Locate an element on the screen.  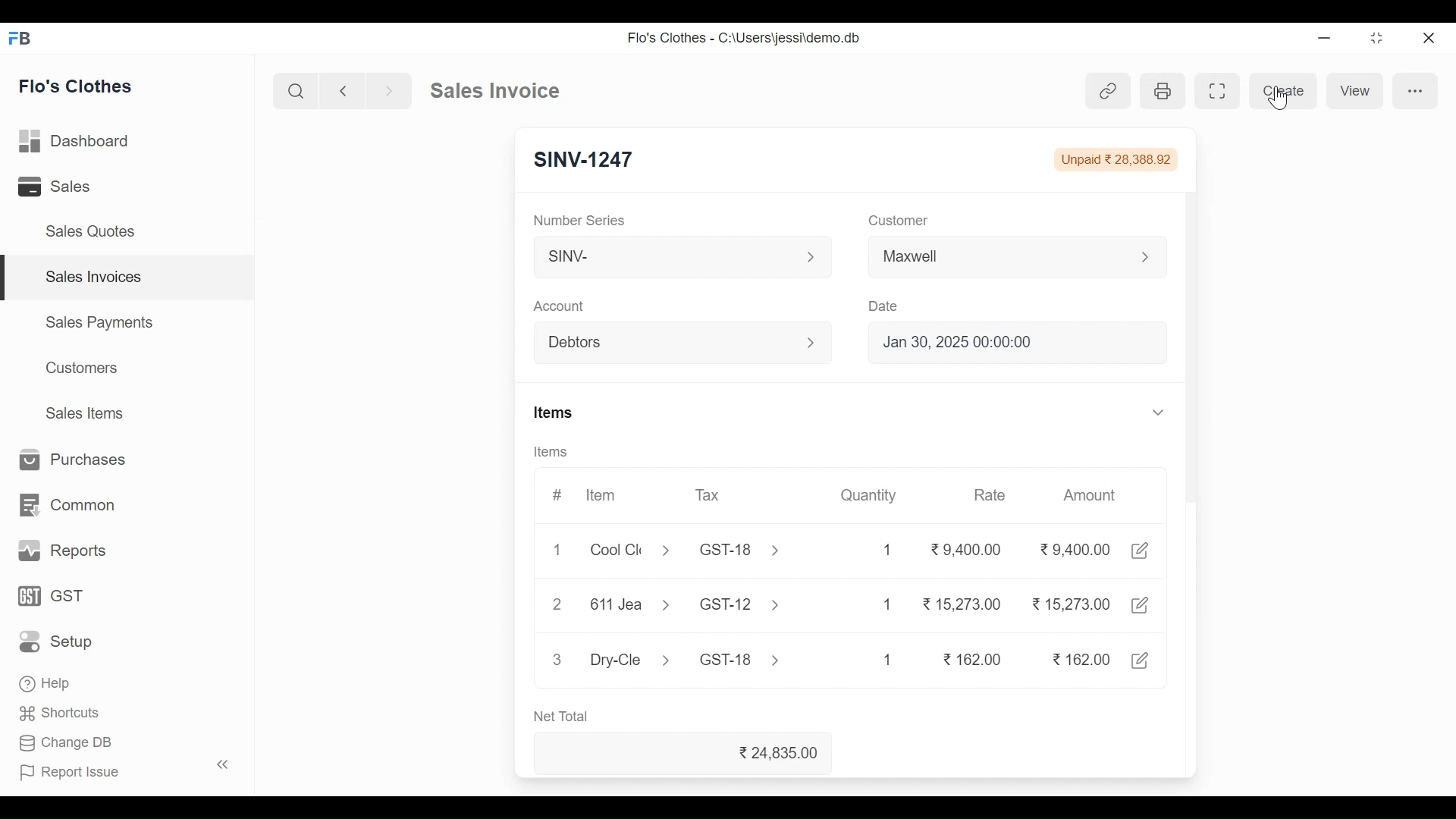
162.00 is located at coordinates (974, 659).